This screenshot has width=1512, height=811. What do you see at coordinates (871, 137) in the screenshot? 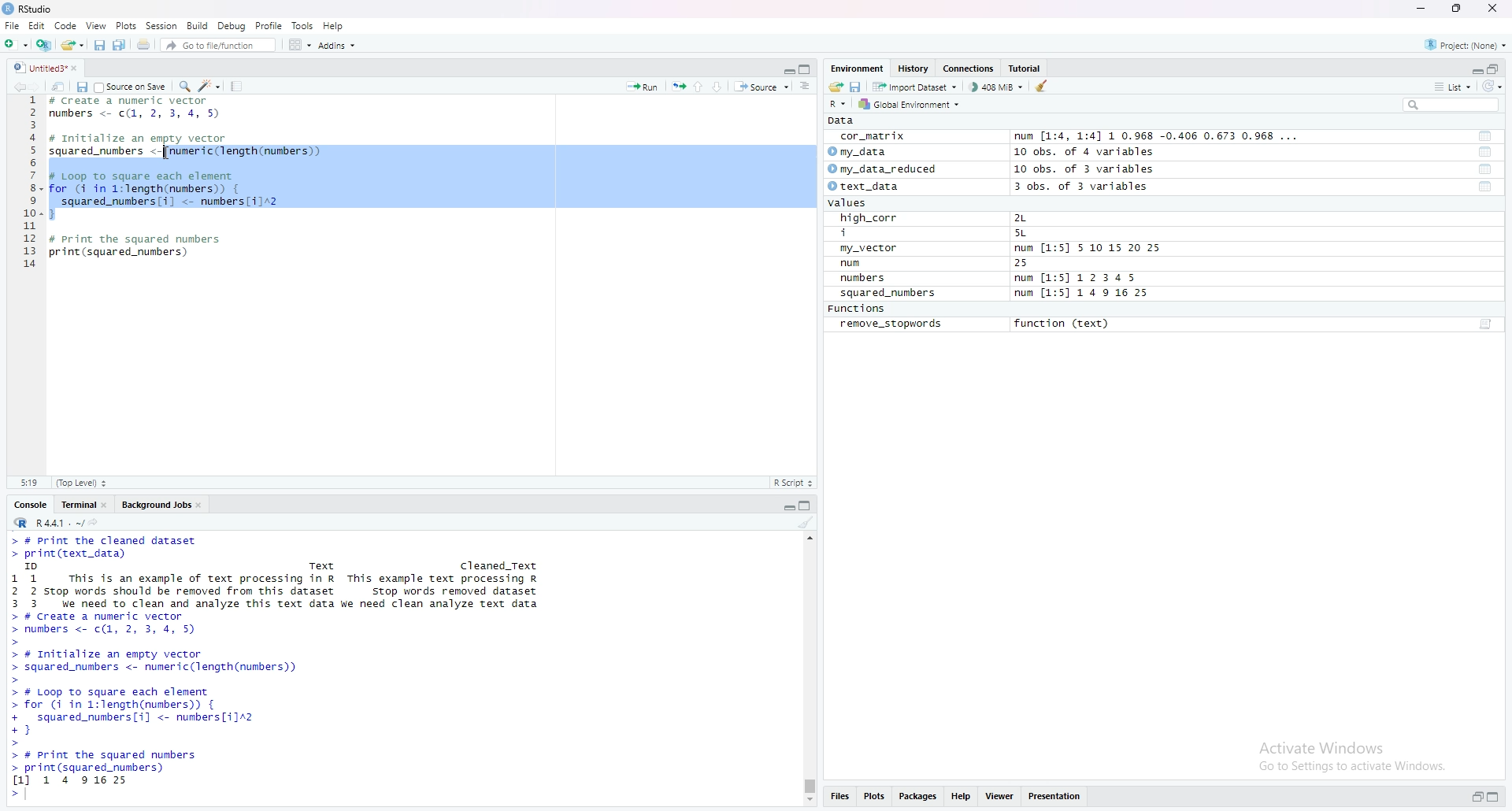
I see `cor_matrix` at bounding box center [871, 137].